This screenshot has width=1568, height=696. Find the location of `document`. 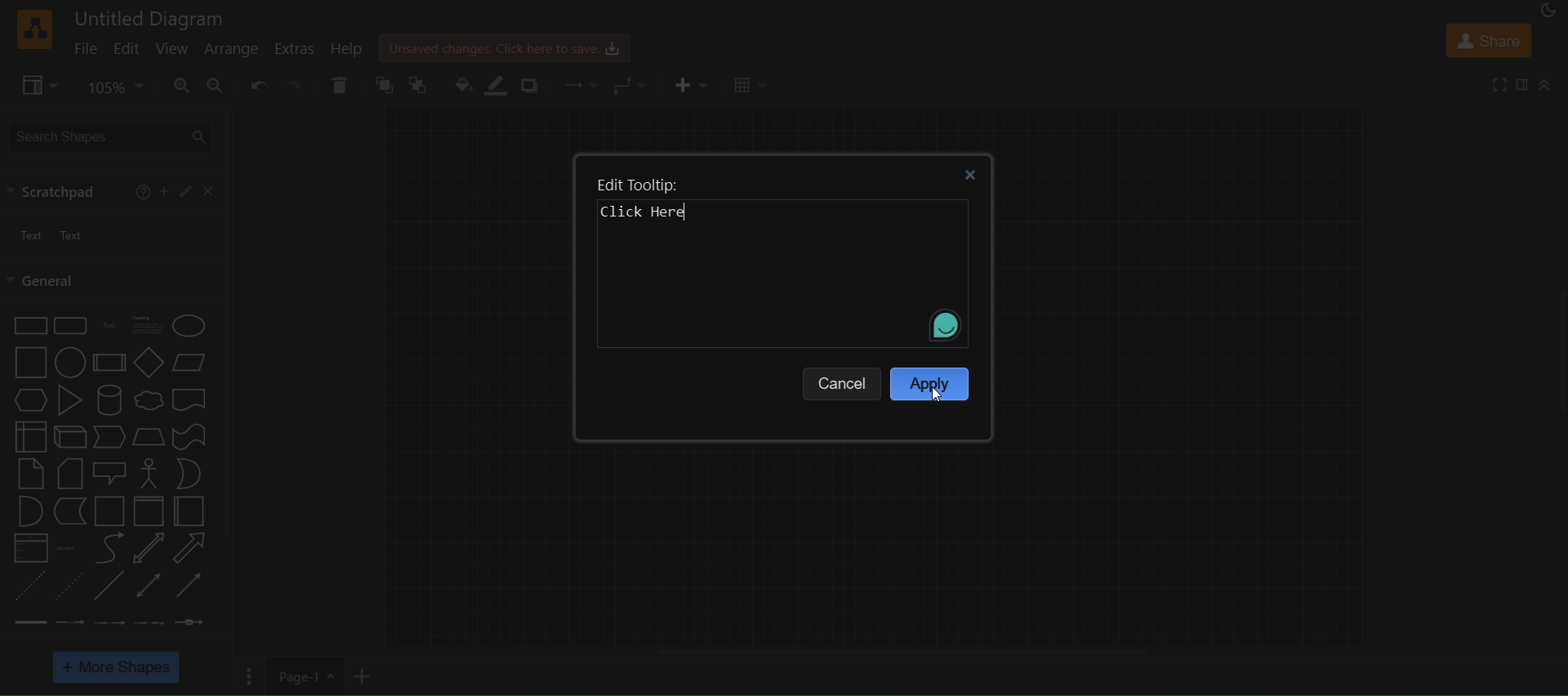

document is located at coordinates (193, 399).